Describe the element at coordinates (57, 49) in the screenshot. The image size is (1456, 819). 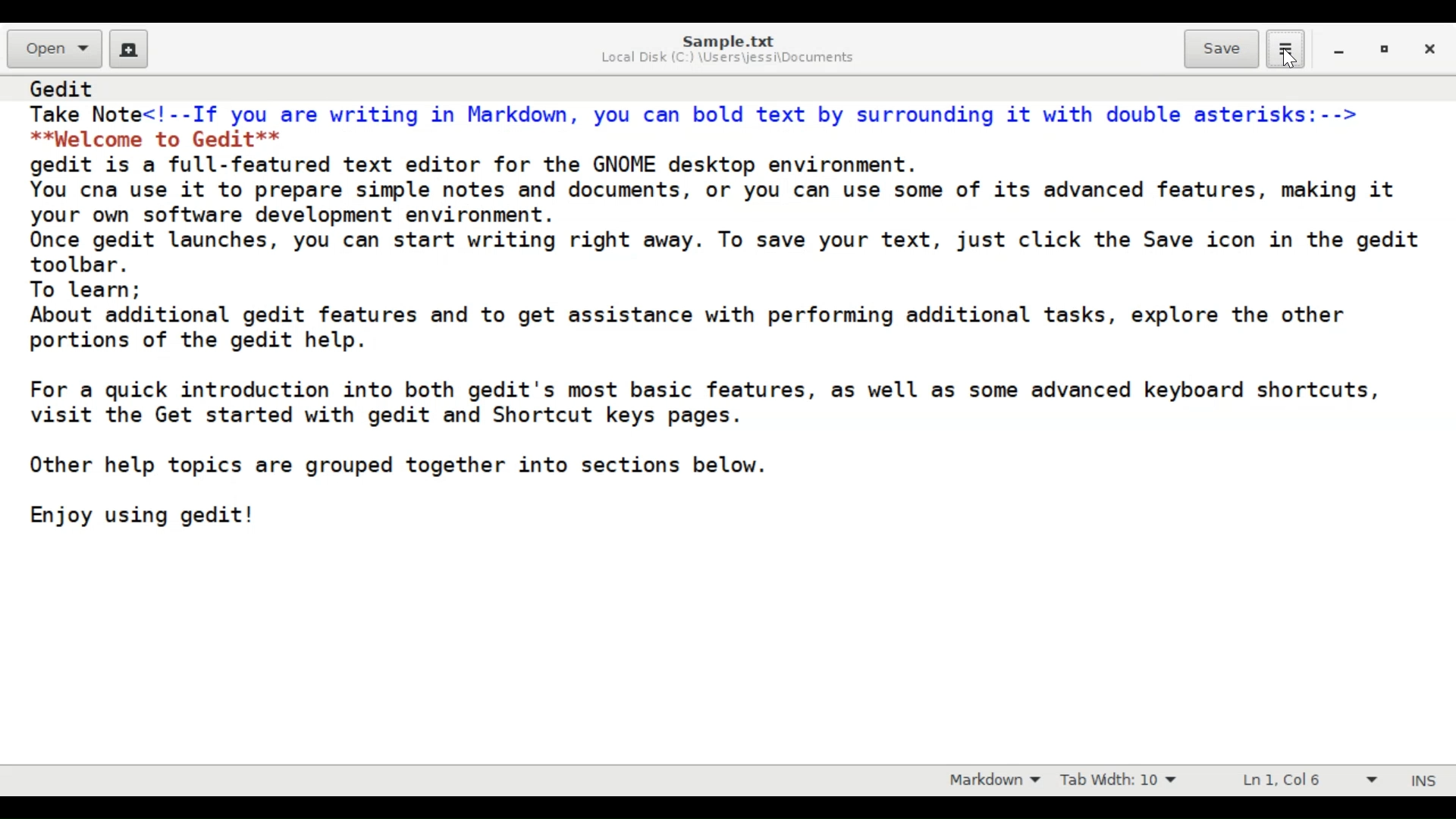
I see `Open` at that location.